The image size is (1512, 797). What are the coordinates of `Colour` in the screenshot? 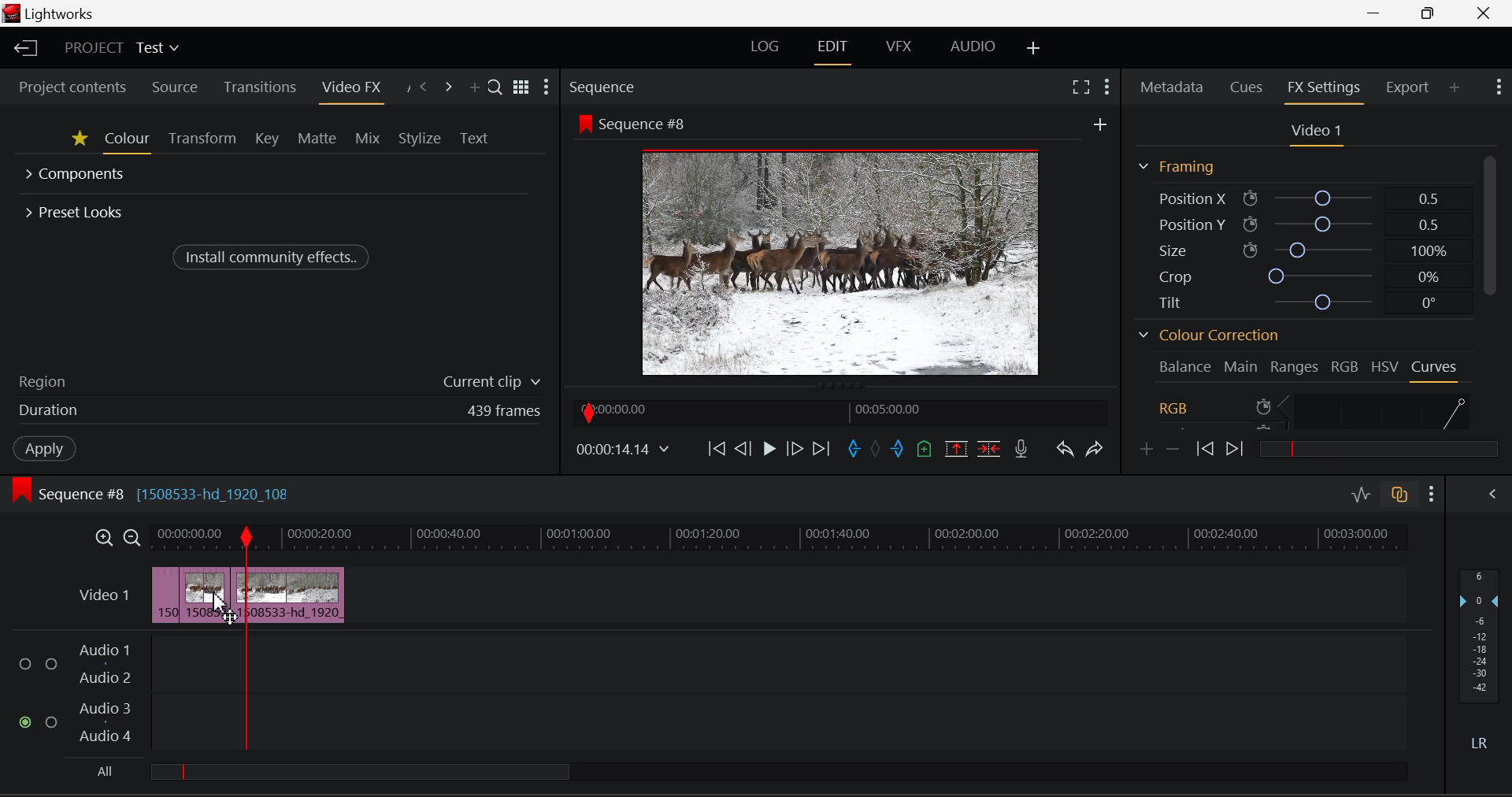 It's located at (128, 141).